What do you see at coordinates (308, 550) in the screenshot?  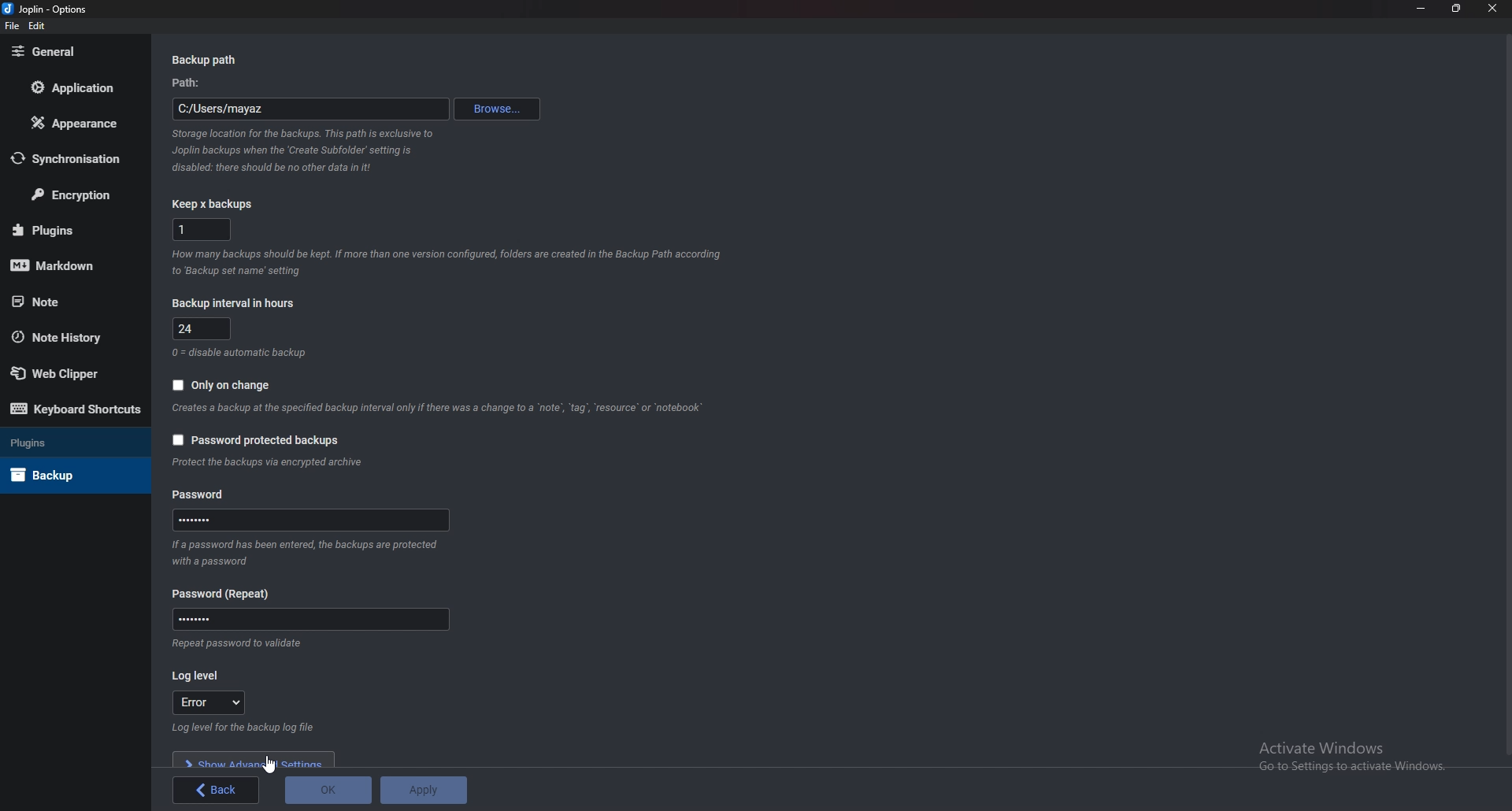 I see `Info on password` at bounding box center [308, 550].